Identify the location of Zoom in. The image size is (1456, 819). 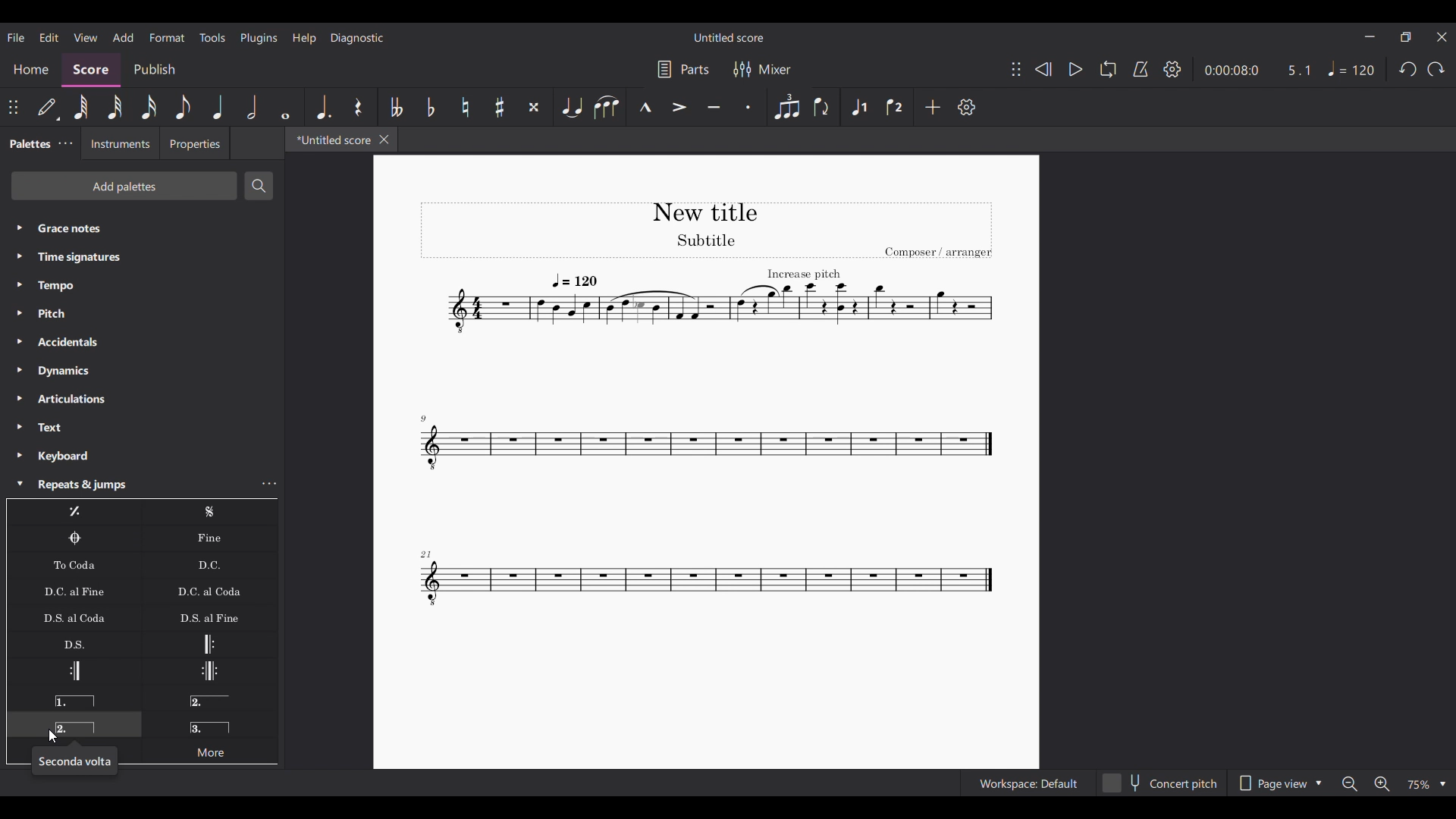
(1382, 783).